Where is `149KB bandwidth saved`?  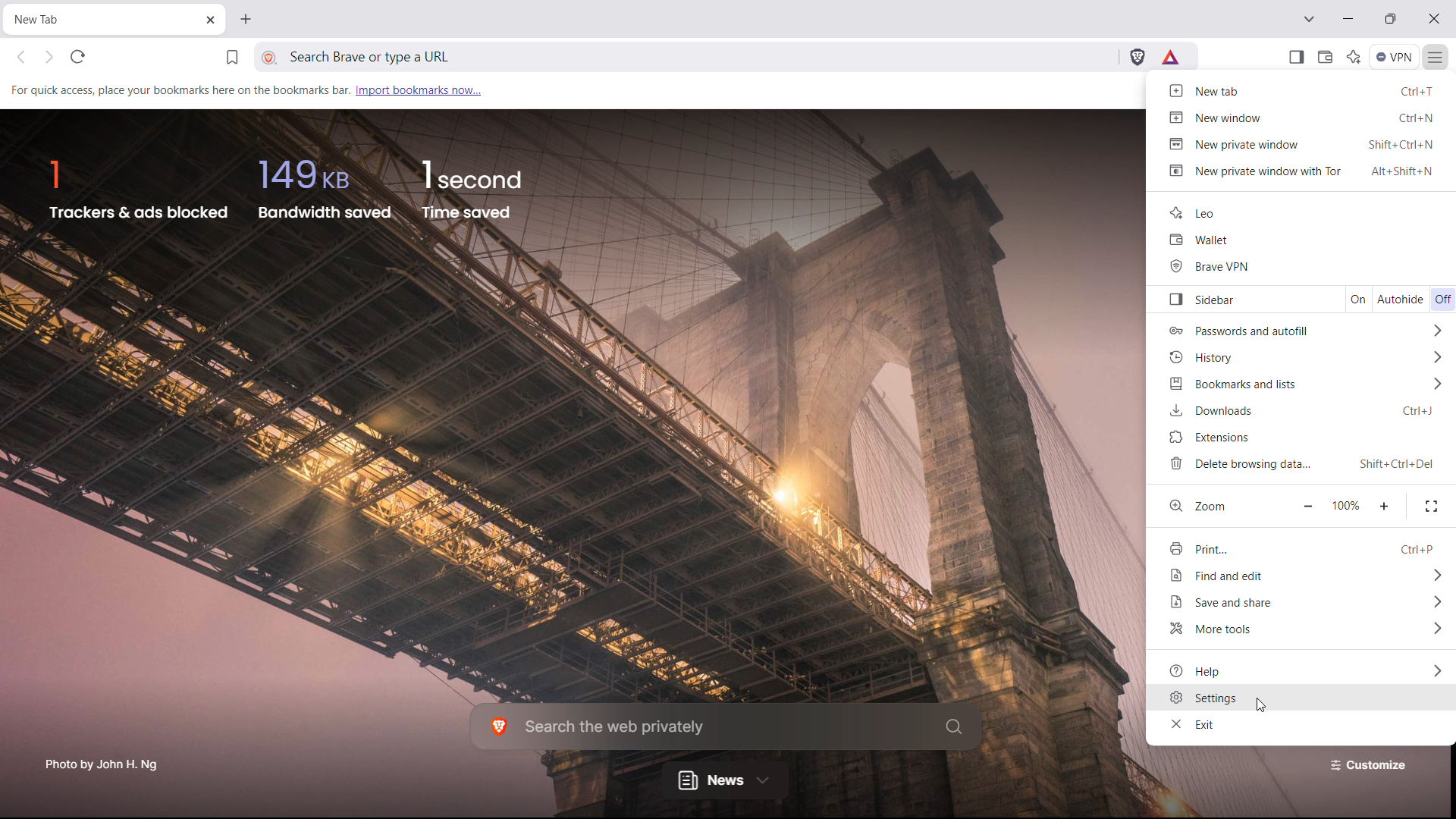 149KB bandwidth saved is located at coordinates (325, 187).